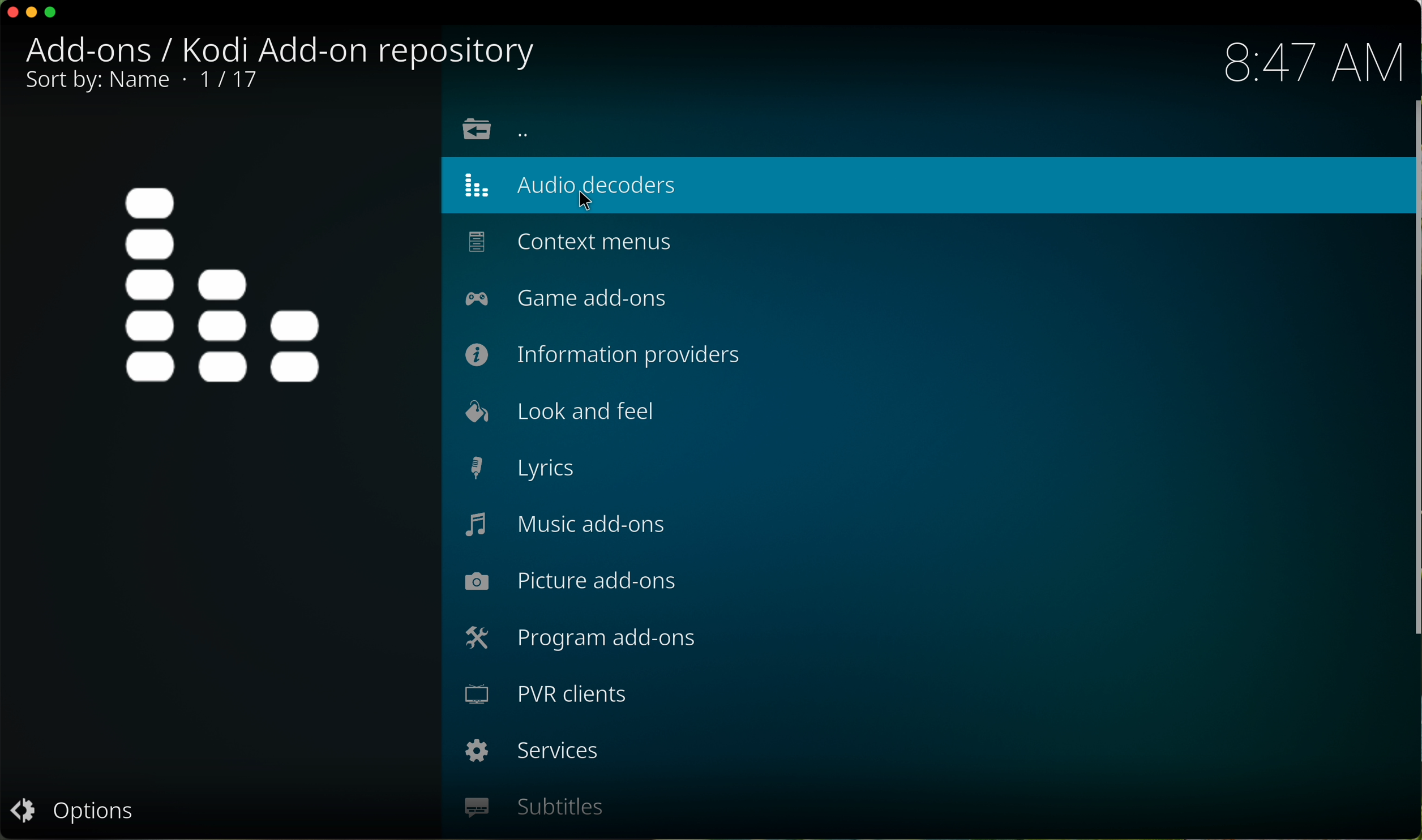 The width and height of the screenshot is (1422, 840). I want to click on subtitles, so click(533, 808).